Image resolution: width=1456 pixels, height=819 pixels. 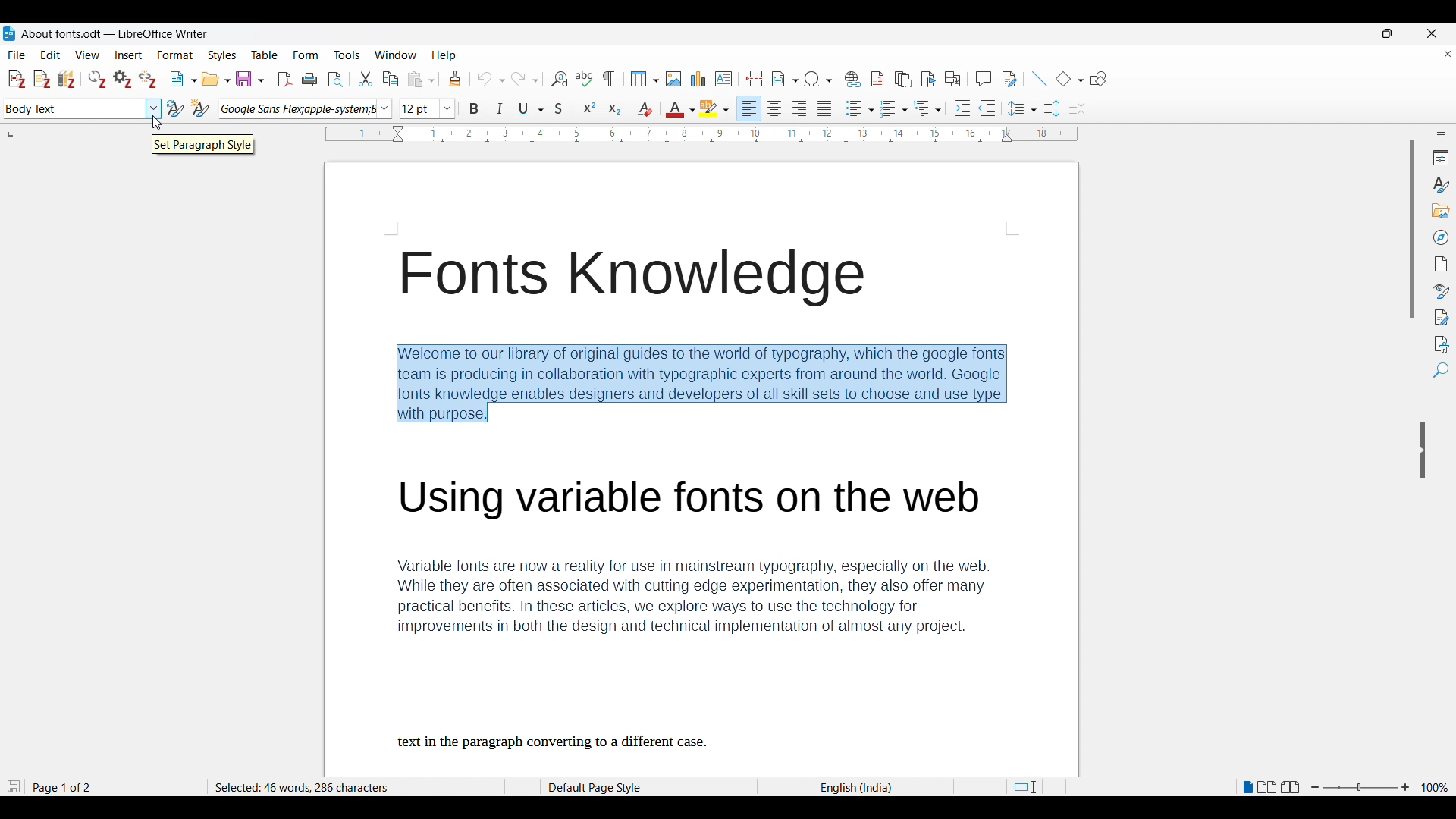 I want to click on Insert cross-reference, so click(x=953, y=79).